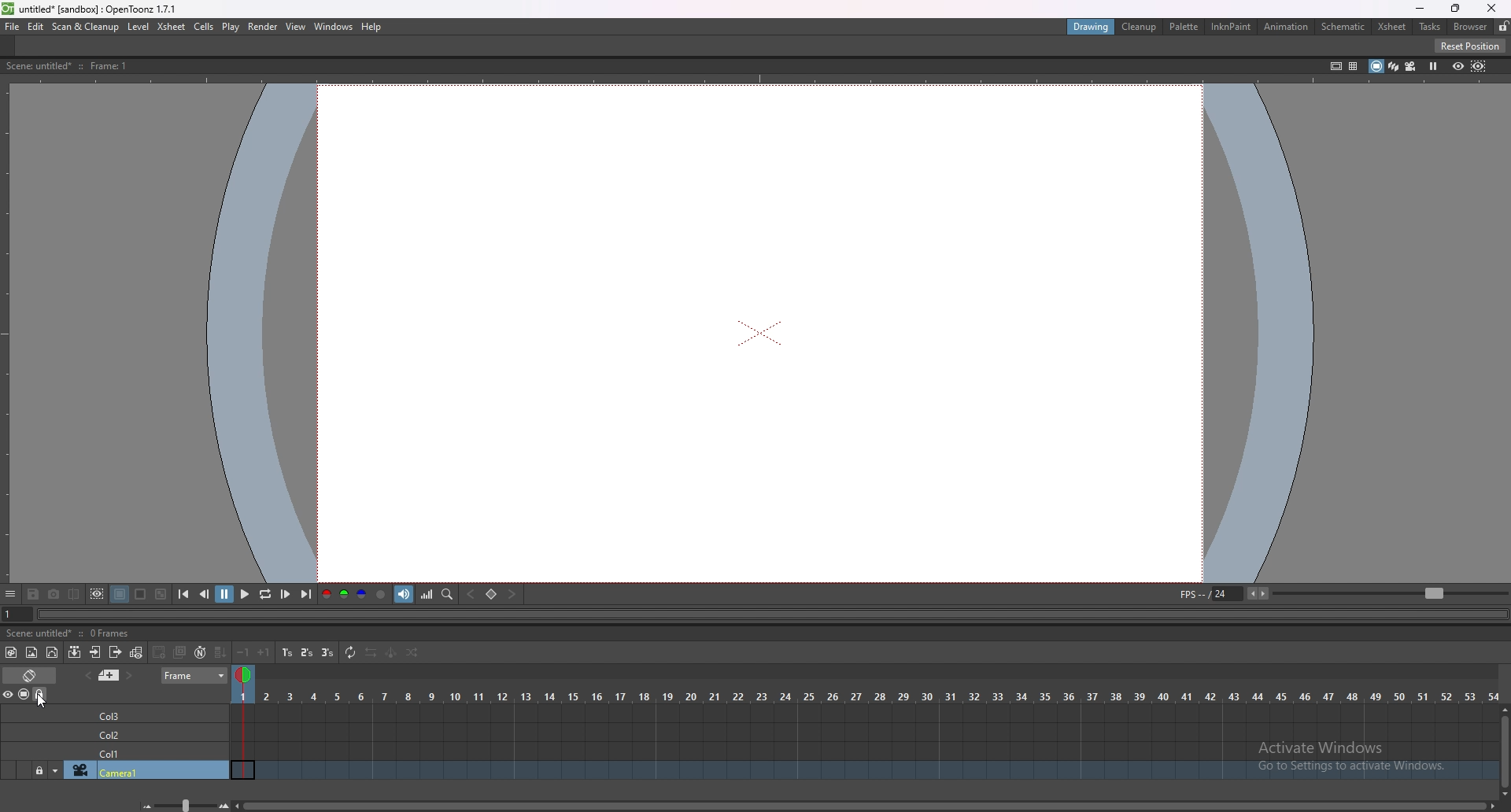 Image resolution: width=1511 pixels, height=812 pixels. Describe the element at coordinates (220, 653) in the screenshot. I see `fill in empty cells` at that location.